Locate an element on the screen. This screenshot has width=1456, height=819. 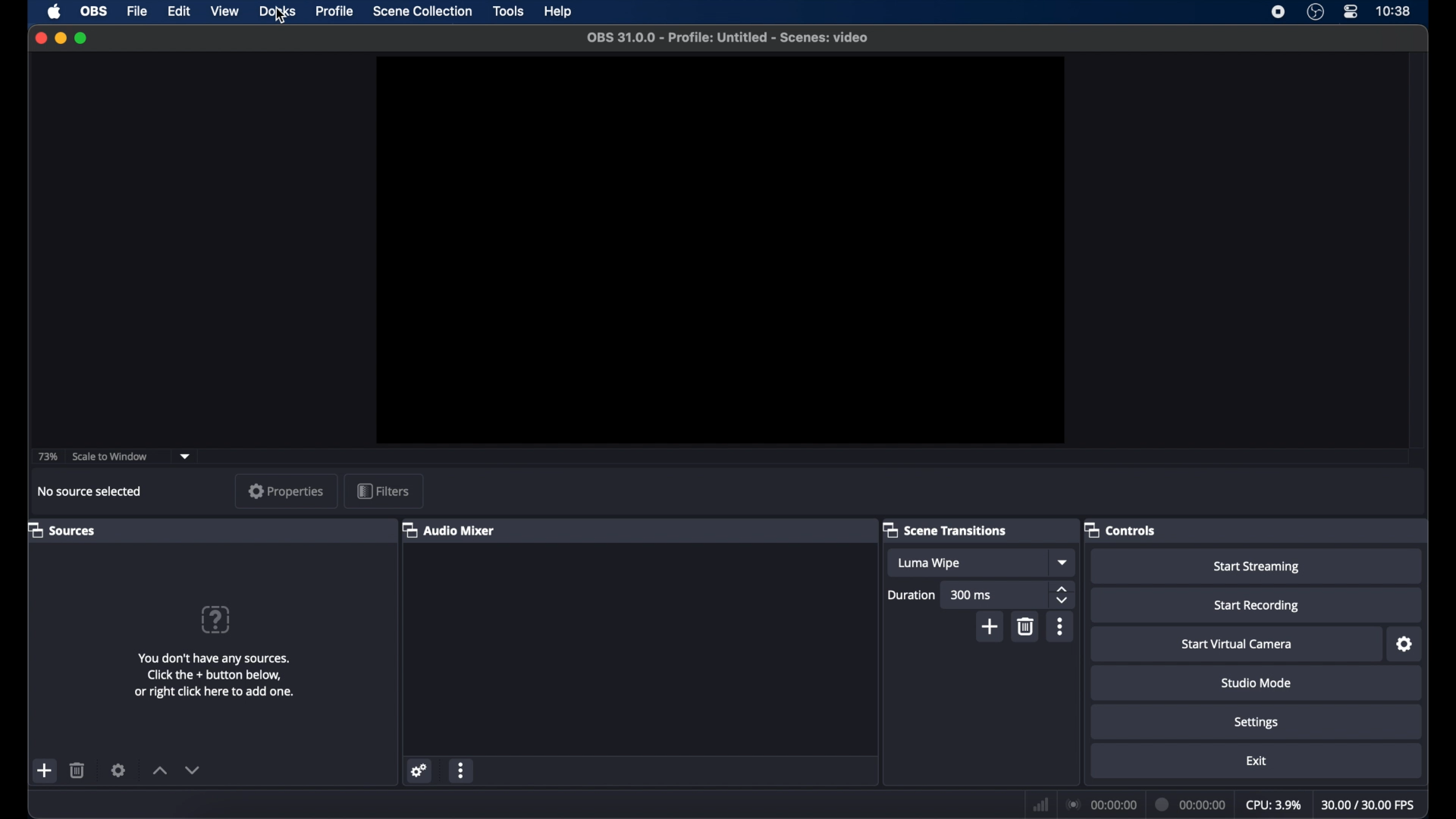
stepper buttons is located at coordinates (1064, 595).